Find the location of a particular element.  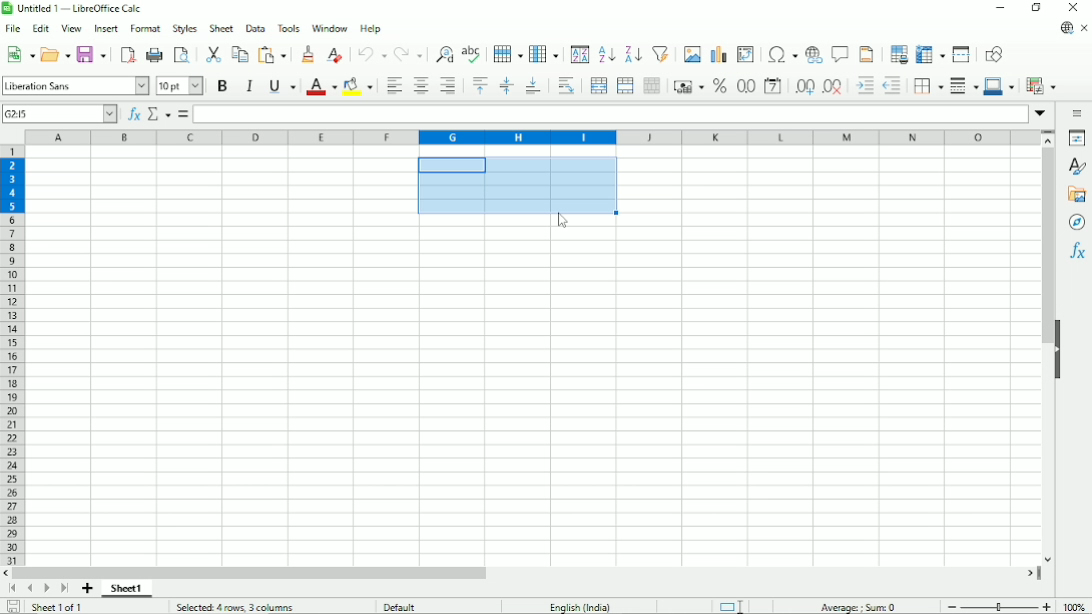

Scroll to last sheet is located at coordinates (64, 589).